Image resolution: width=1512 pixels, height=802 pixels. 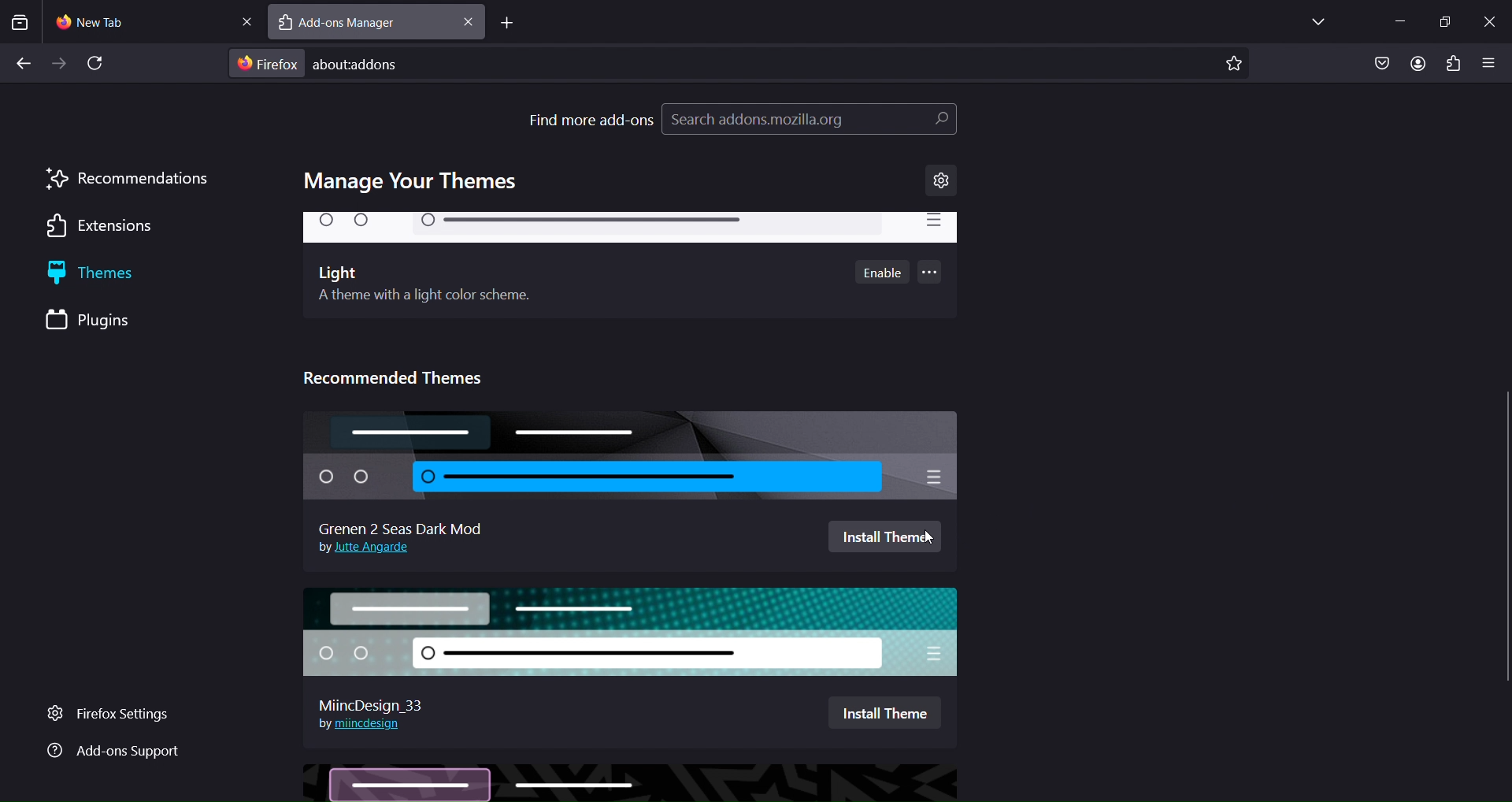 I want to click on close tab, so click(x=469, y=22).